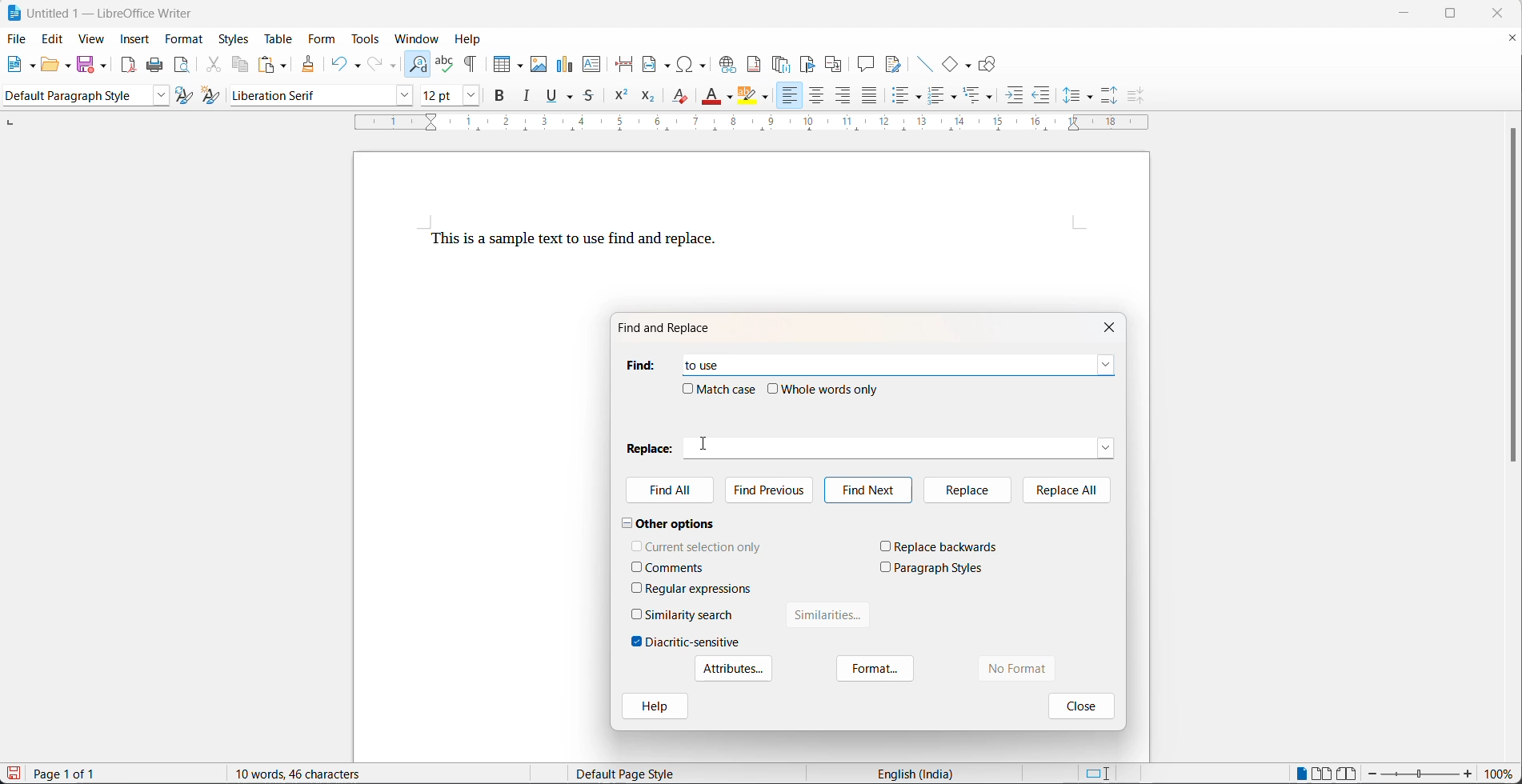  I want to click on bold, so click(501, 98).